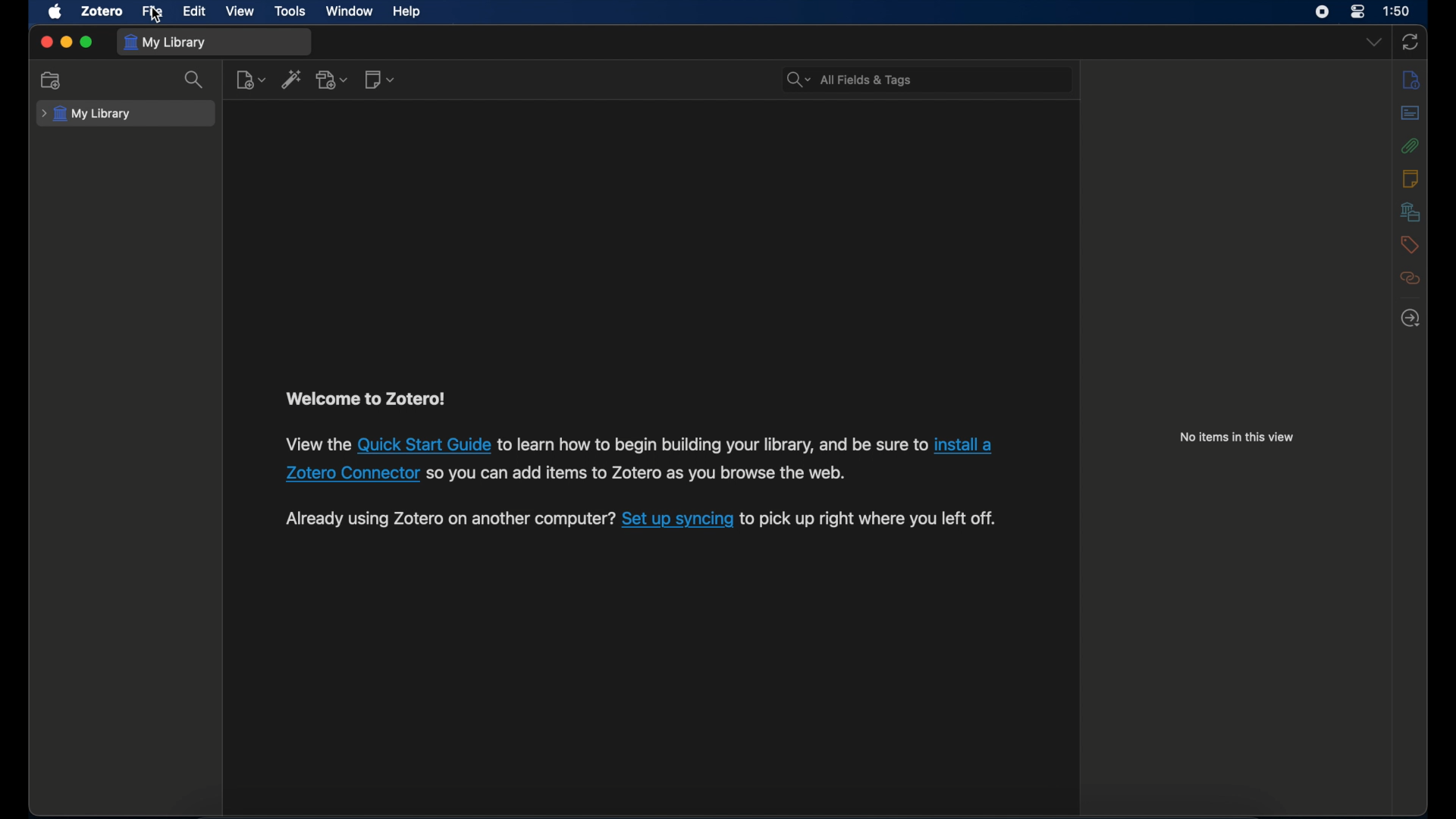 The image size is (1456, 819). What do you see at coordinates (408, 12) in the screenshot?
I see `help` at bounding box center [408, 12].